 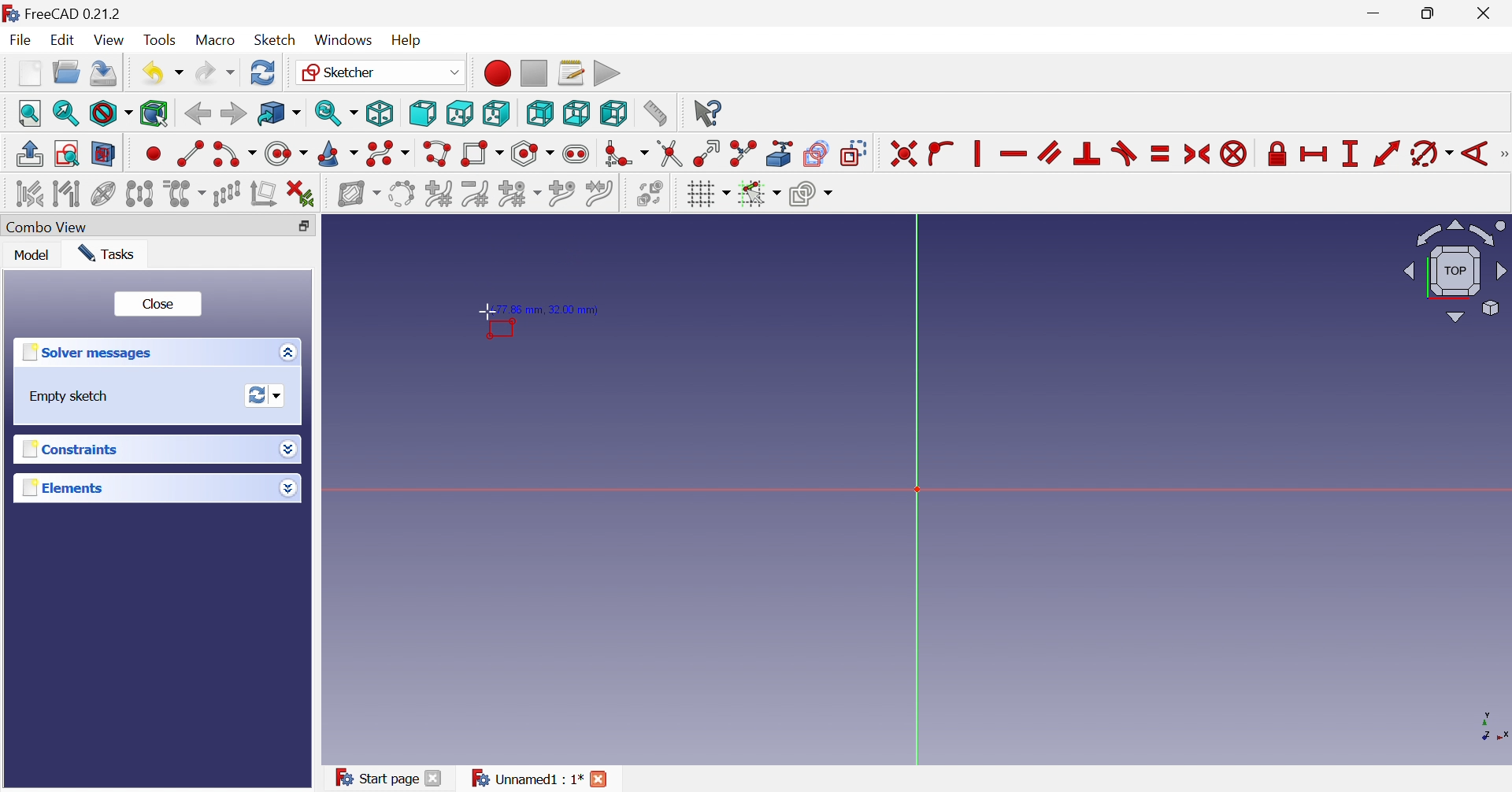 What do you see at coordinates (28, 154) in the screenshot?
I see `Leave sketch` at bounding box center [28, 154].